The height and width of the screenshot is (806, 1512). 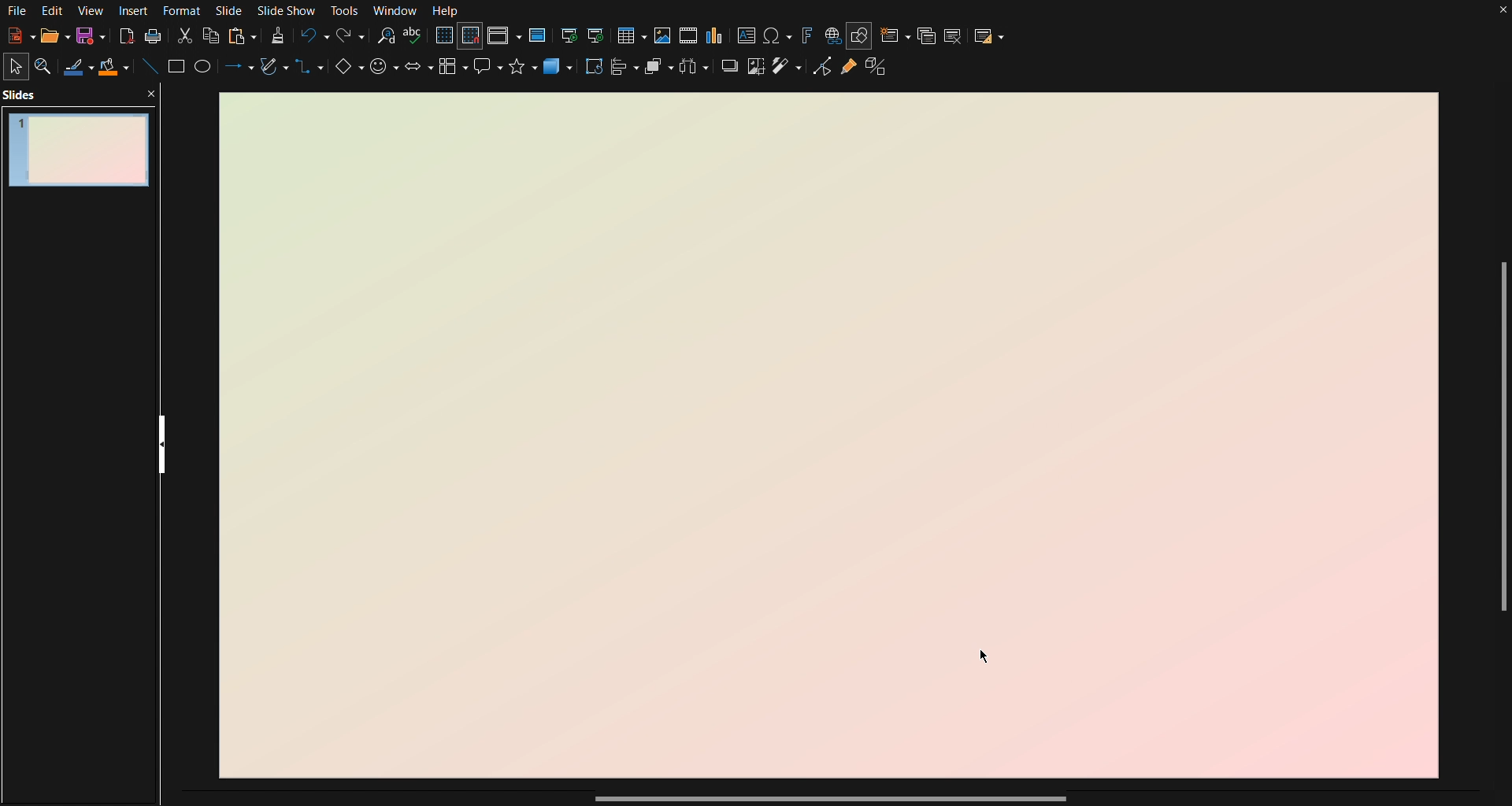 I want to click on Shadow, so click(x=728, y=72).